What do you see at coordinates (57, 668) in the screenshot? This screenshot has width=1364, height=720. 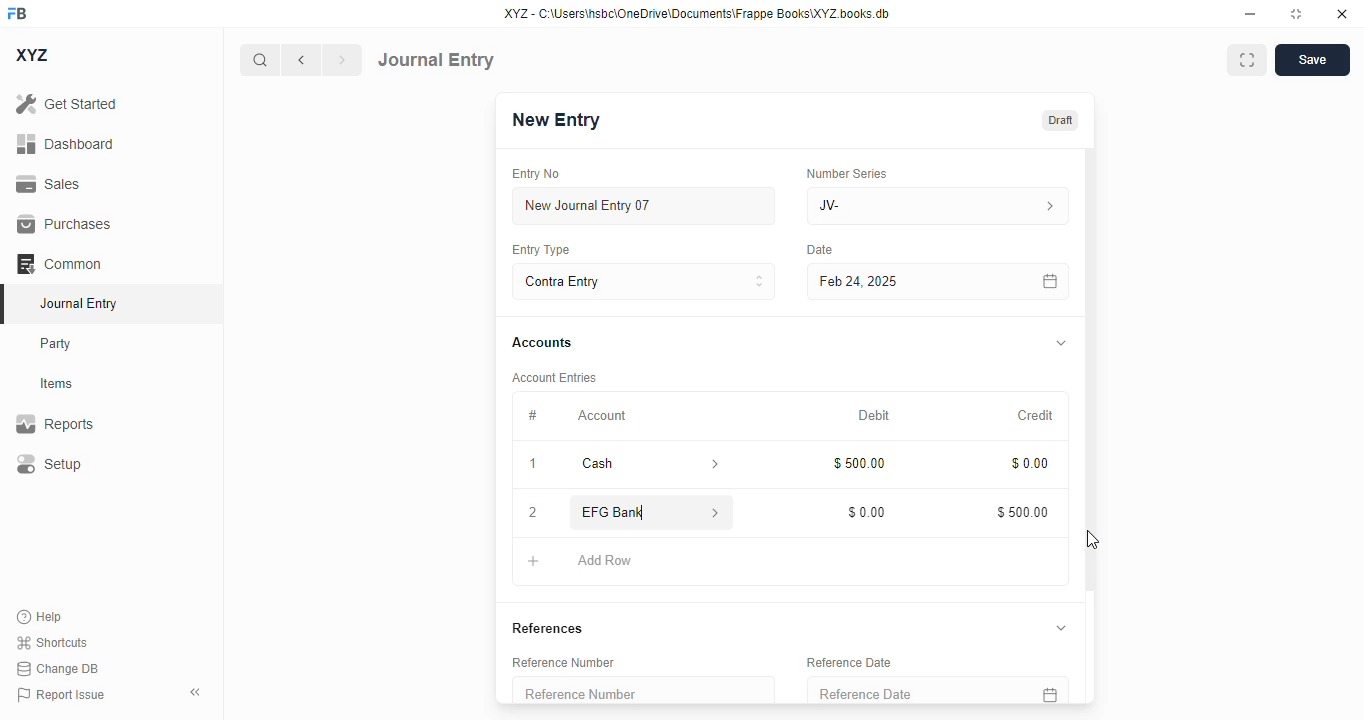 I see `change DB` at bounding box center [57, 668].